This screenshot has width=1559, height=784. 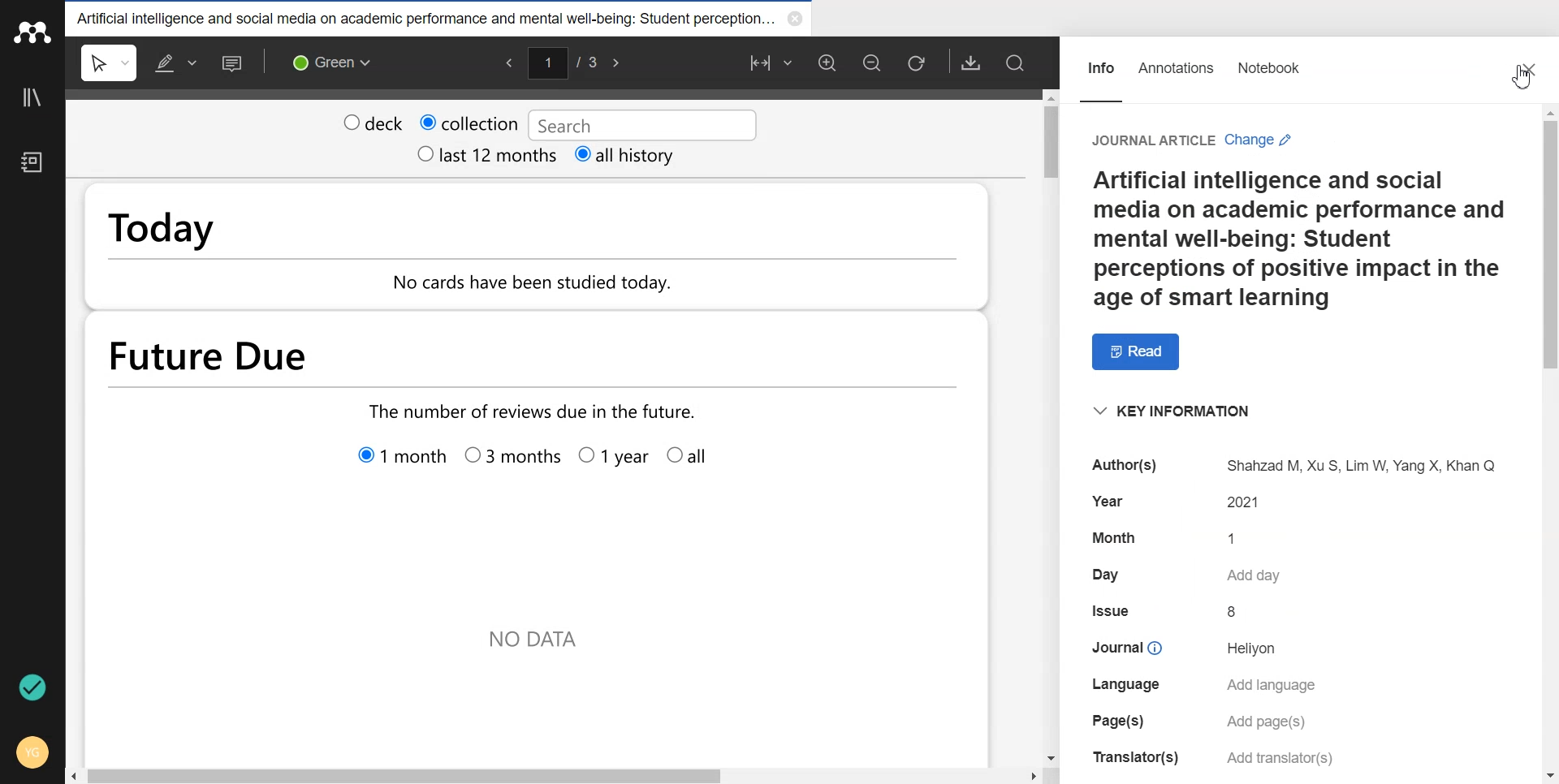 I want to click on Artificial intelligence and social media on academic performance and mental well-being: Student perception..., so click(x=428, y=17).